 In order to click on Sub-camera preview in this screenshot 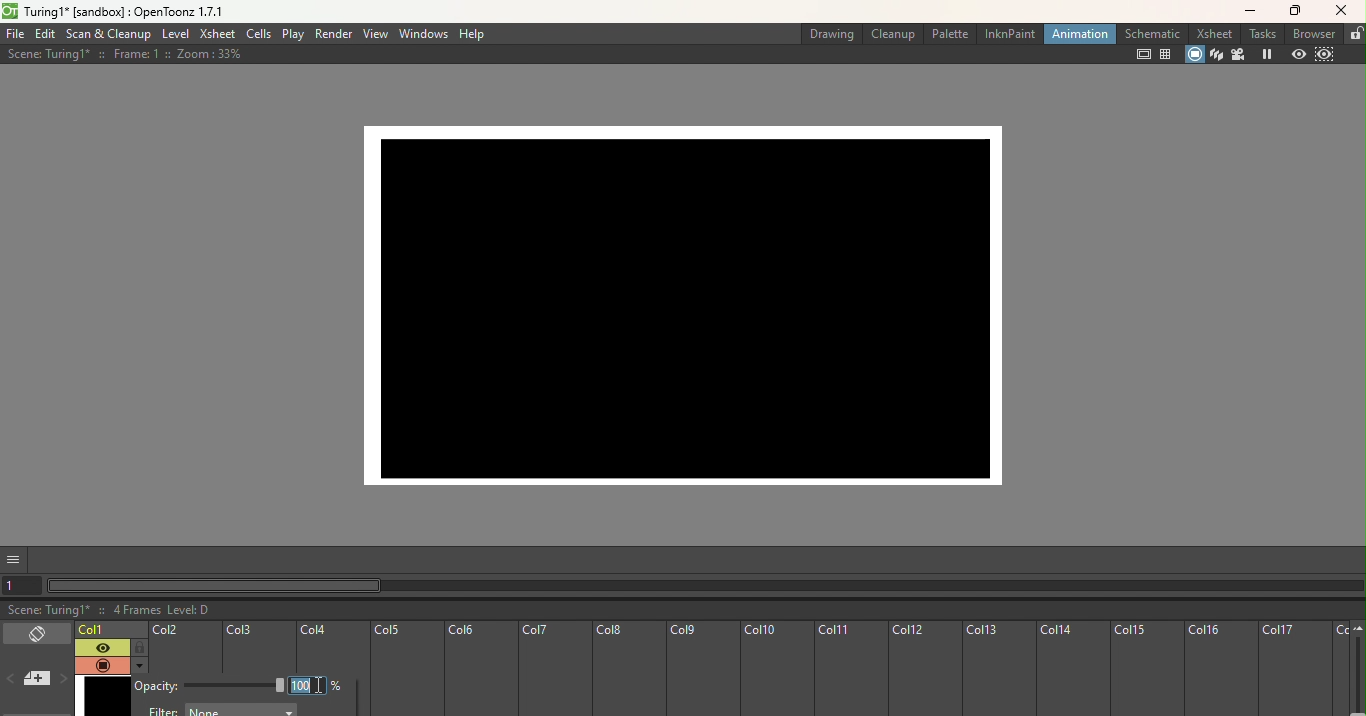, I will do `click(1331, 56)`.